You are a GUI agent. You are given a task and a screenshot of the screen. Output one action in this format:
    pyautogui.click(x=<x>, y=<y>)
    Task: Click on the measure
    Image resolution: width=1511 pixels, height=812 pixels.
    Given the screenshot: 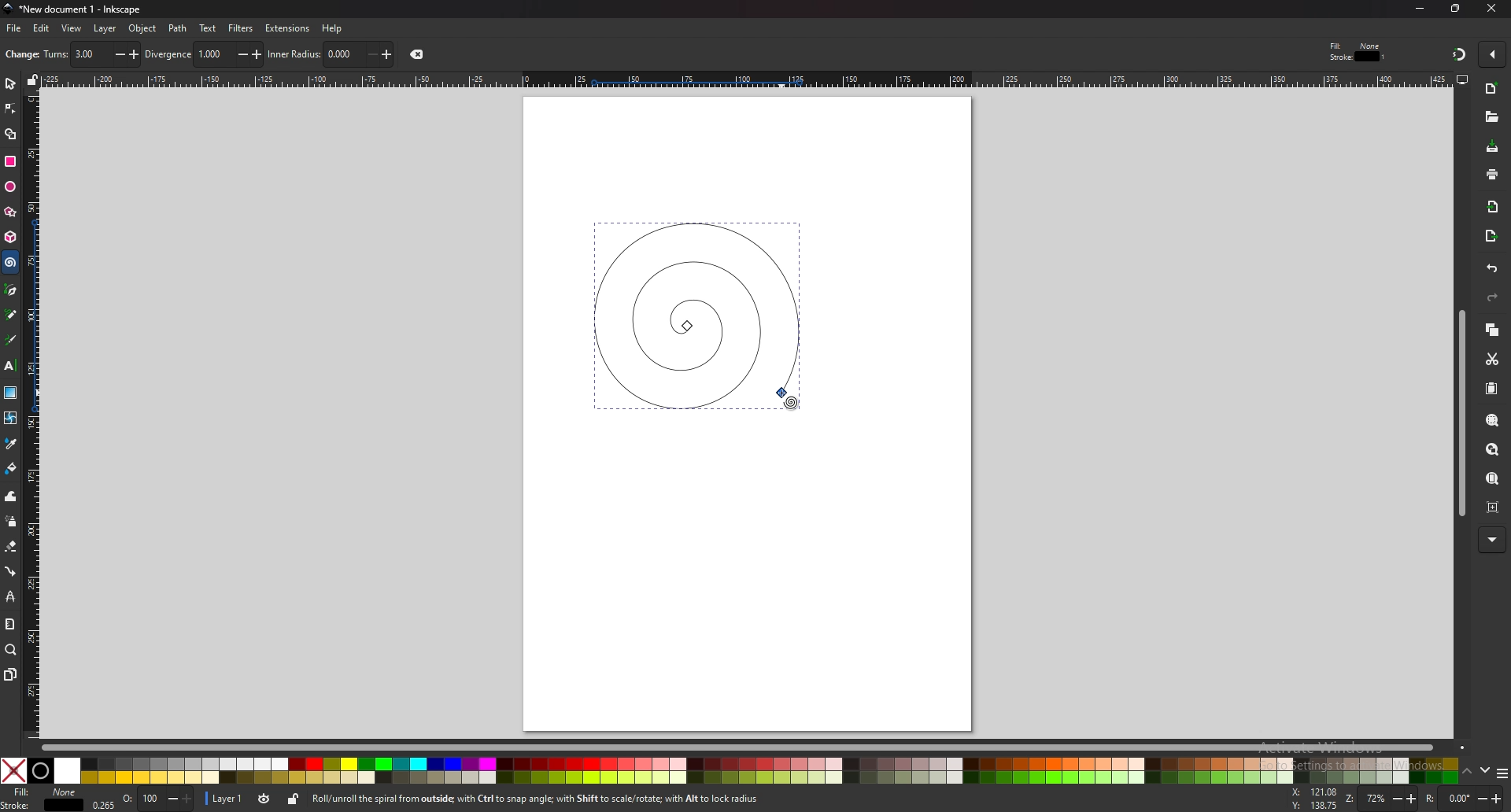 What is the action you would take?
    pyautogui.click(x=10, y=624)
    